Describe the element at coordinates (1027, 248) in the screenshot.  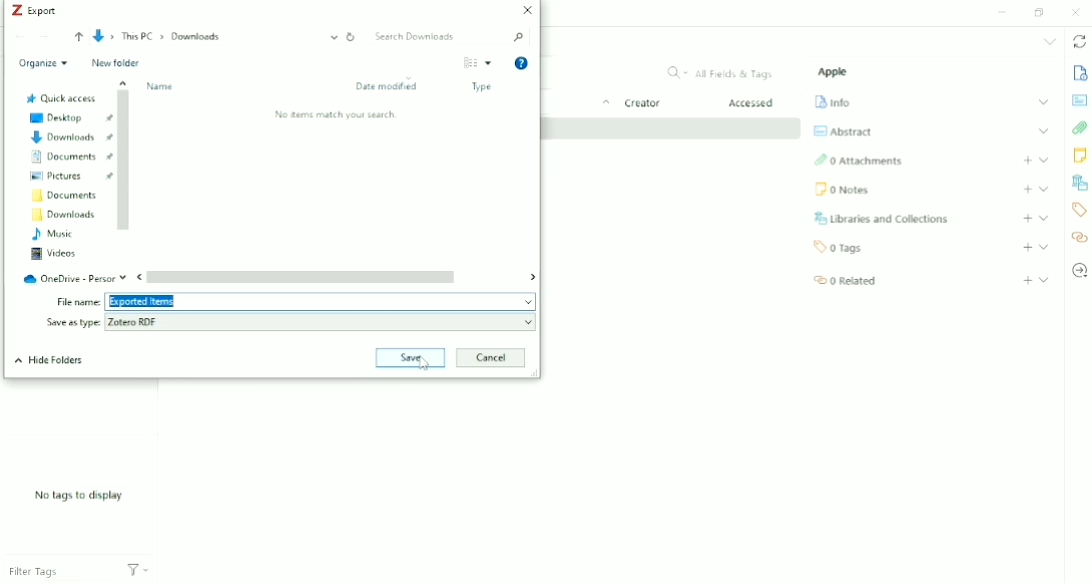
I see `Add` at that location.